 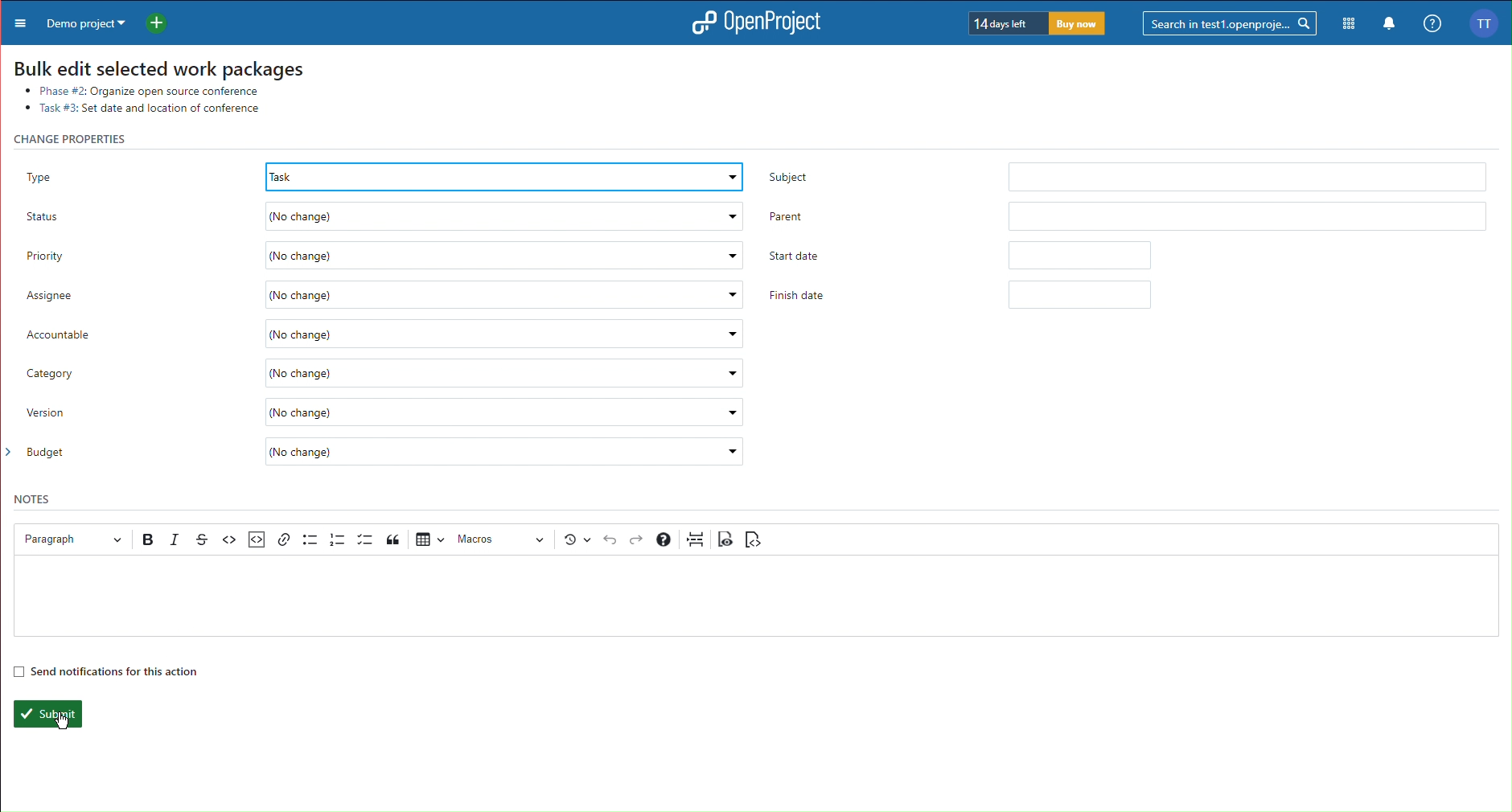 I want to click on Attachment Settings, so click(x=255, y=540).